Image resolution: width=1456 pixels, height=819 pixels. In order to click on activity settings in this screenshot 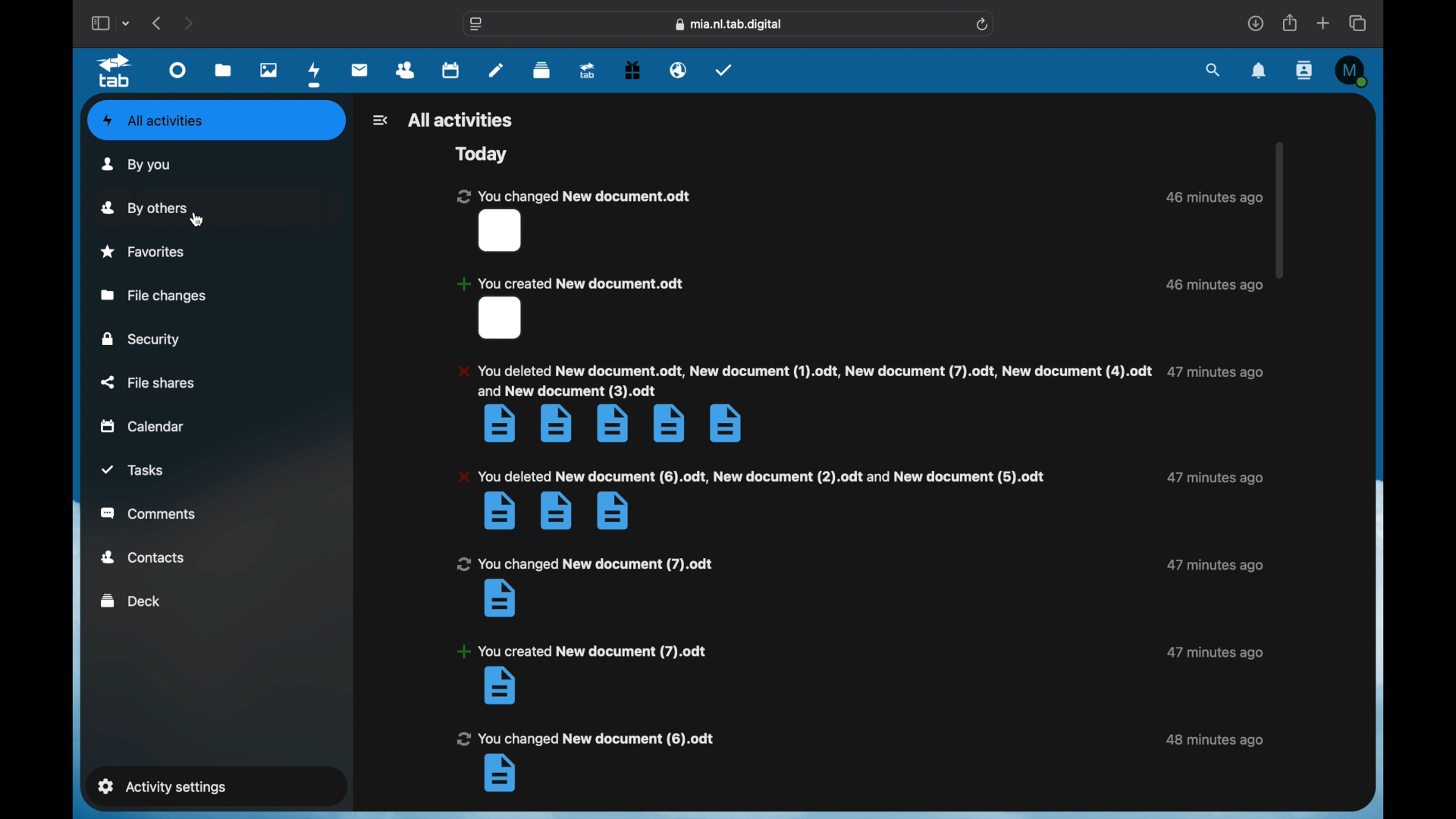, I will do `click(161, 786)`.